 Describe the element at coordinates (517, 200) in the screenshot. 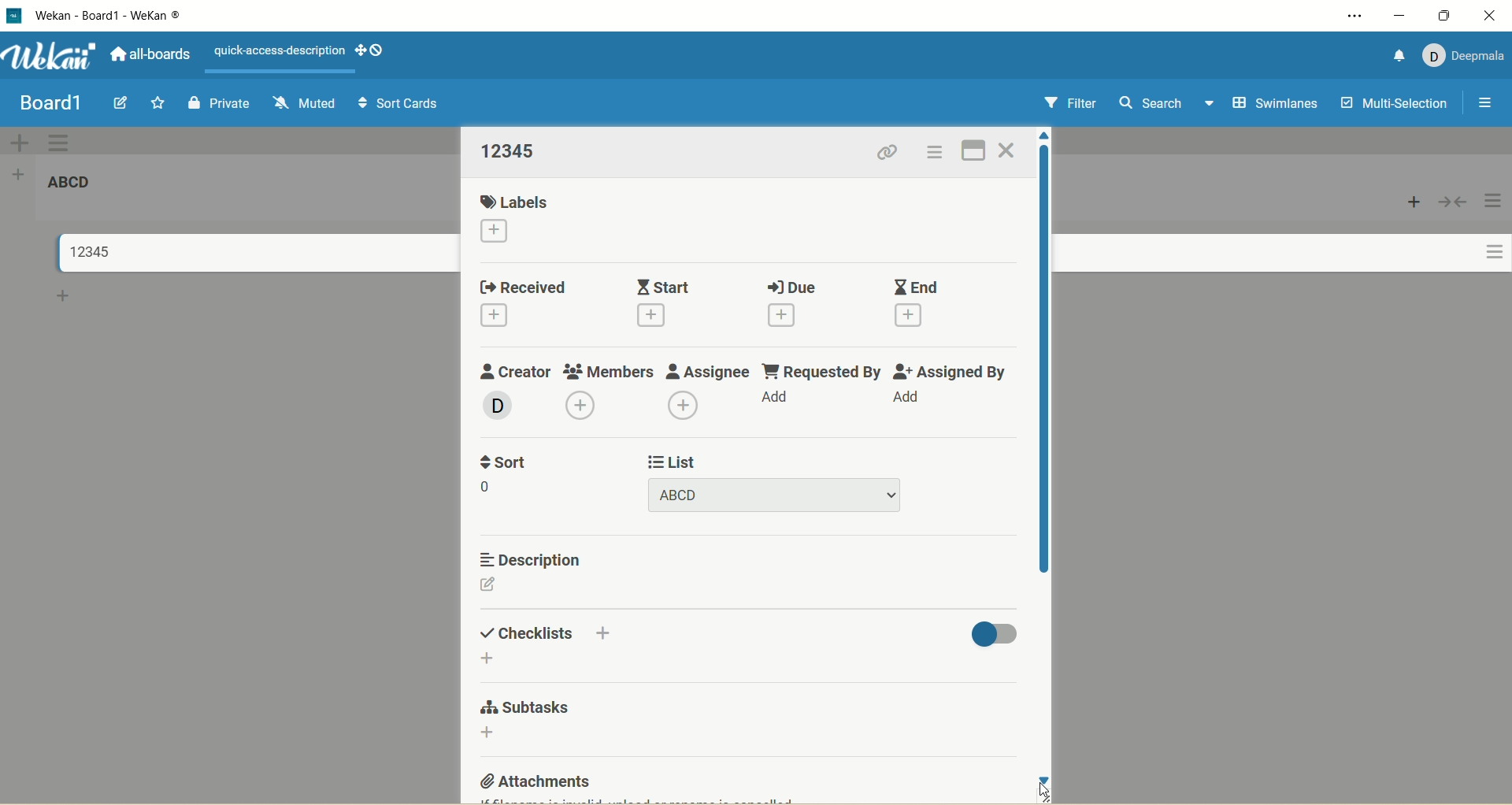

I see `labels` at that location.